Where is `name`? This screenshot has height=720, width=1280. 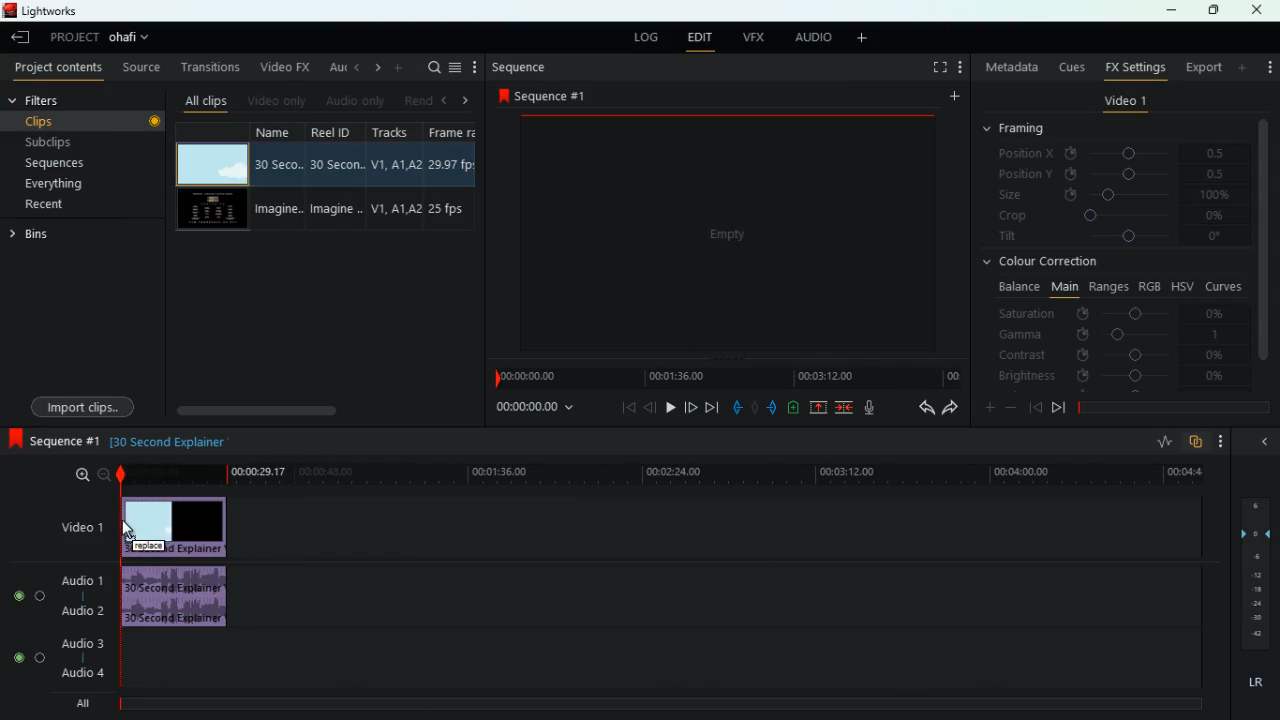
name is located at coordinates (279, 178).